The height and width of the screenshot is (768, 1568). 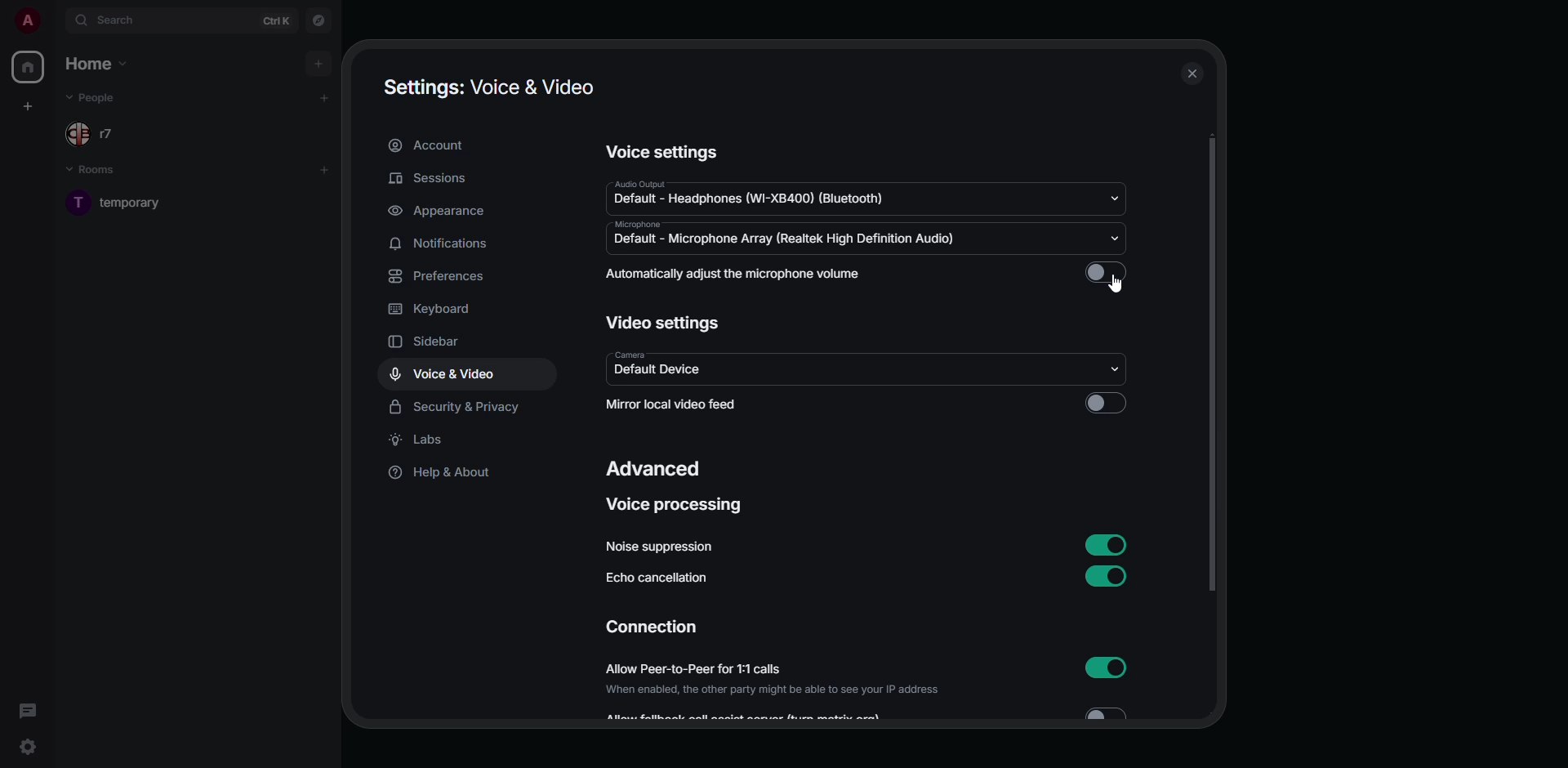 I want to click on home, so click(x=30, y=68).